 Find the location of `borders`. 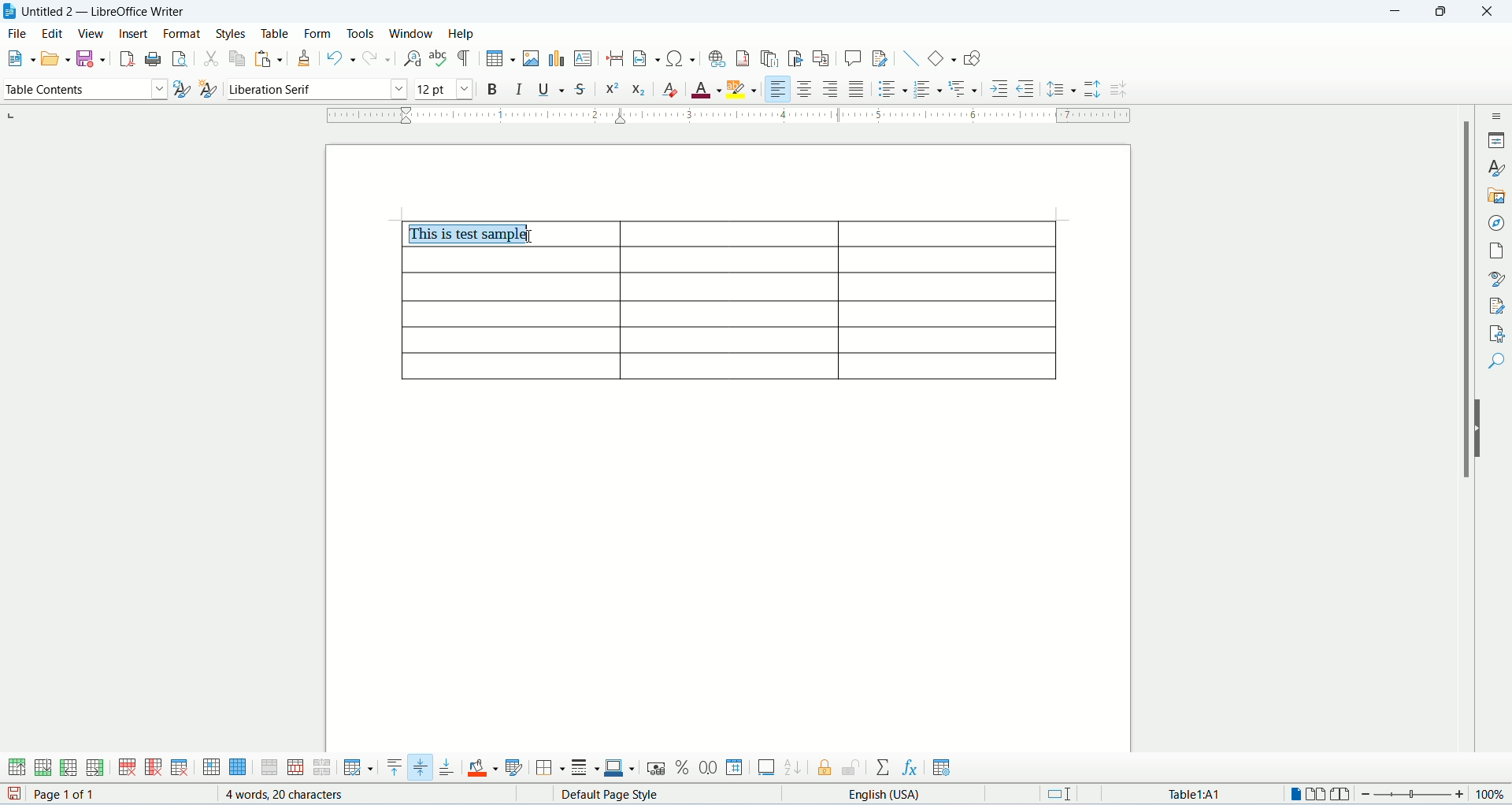

borders is located at coordinates (550, 767).